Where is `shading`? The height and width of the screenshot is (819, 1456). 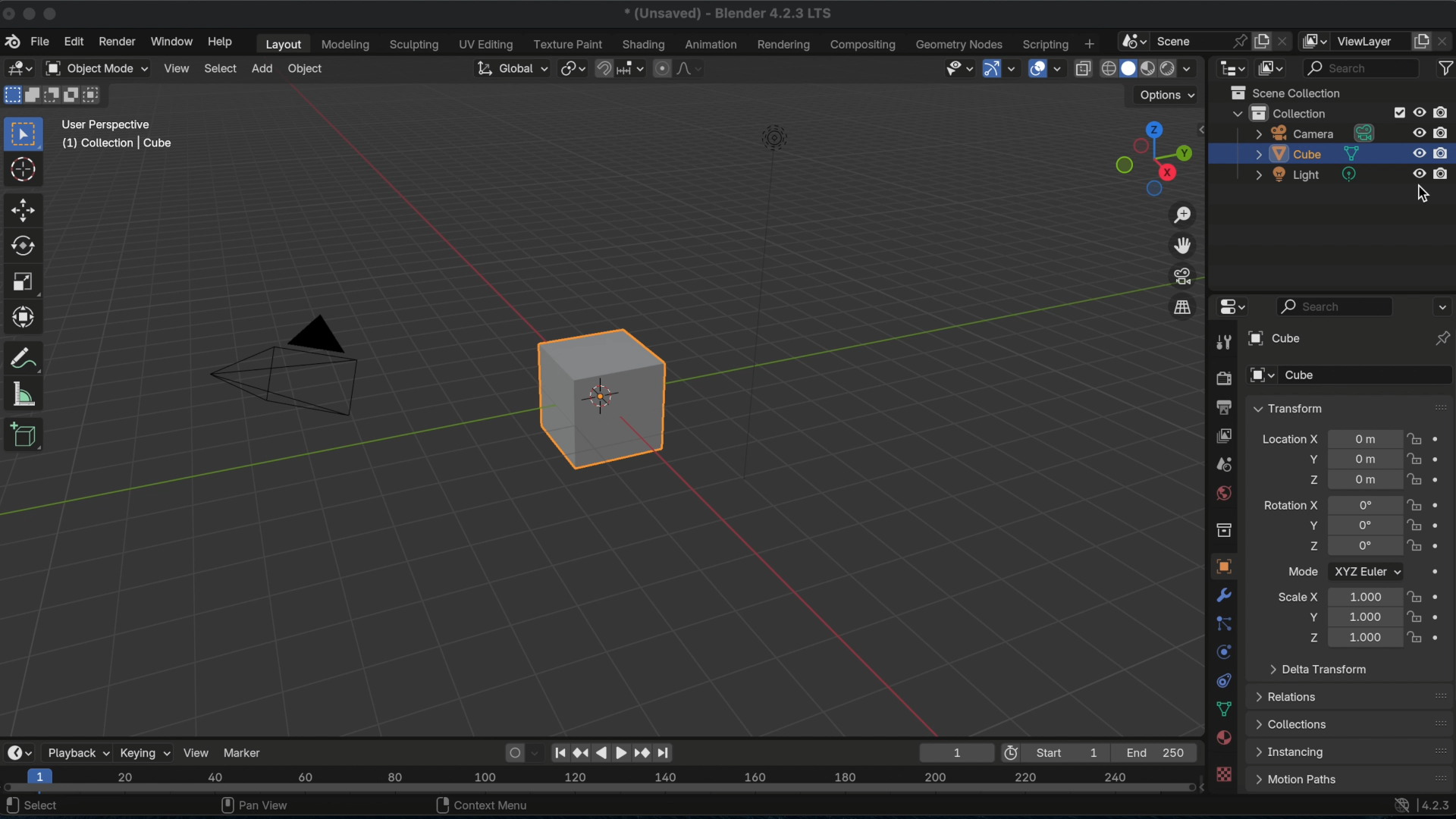 shading is located at coordinates (642, 43).